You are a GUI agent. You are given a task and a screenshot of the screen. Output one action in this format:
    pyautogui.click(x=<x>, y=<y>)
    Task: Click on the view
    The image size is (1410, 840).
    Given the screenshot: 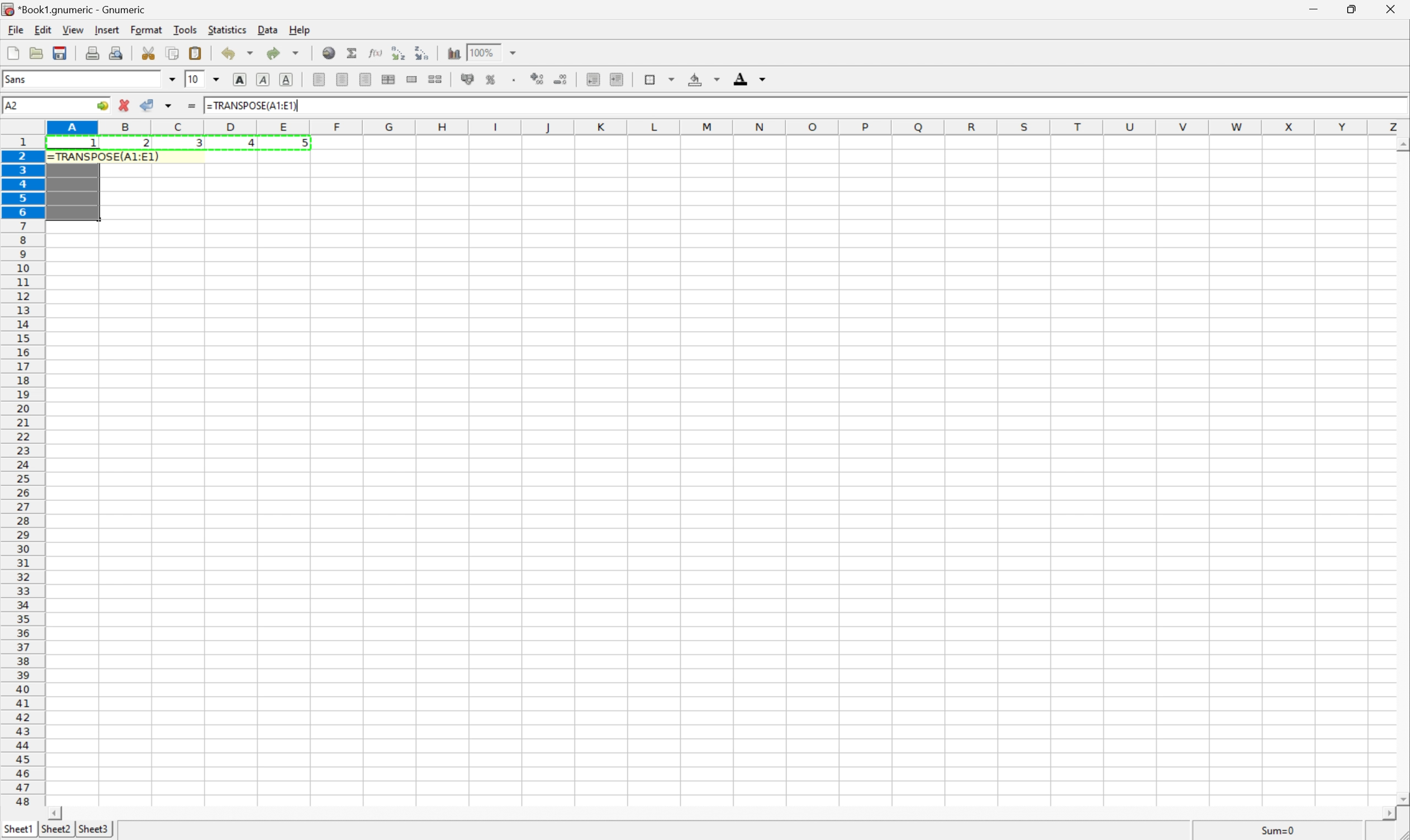 What is the action you would take?
    pyautogui.click(x=72, y=29)
    